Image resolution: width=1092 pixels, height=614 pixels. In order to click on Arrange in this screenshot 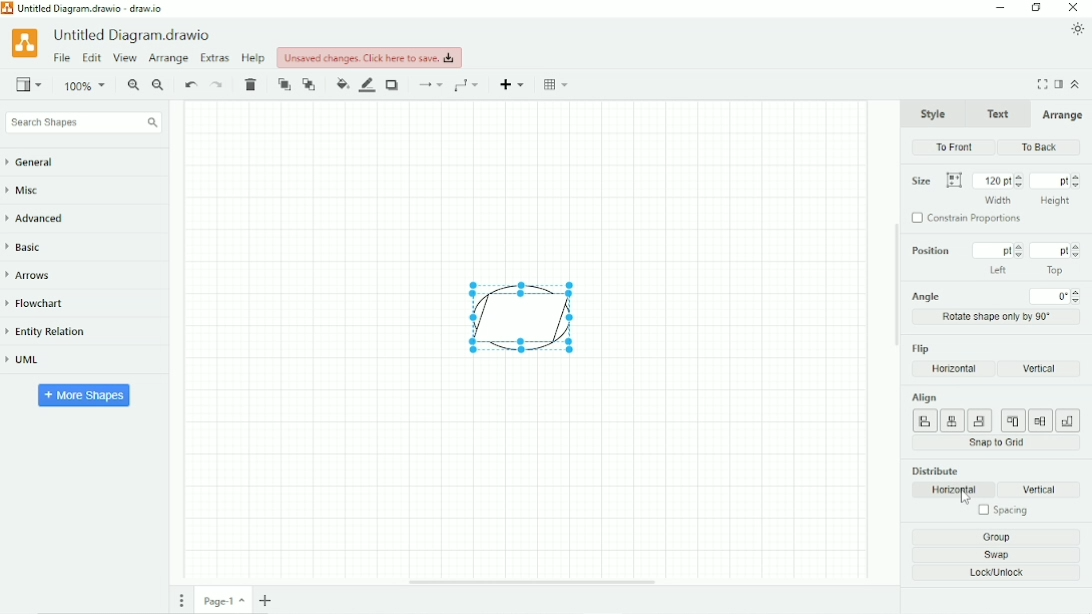, I will do `click(1061, 115)`.